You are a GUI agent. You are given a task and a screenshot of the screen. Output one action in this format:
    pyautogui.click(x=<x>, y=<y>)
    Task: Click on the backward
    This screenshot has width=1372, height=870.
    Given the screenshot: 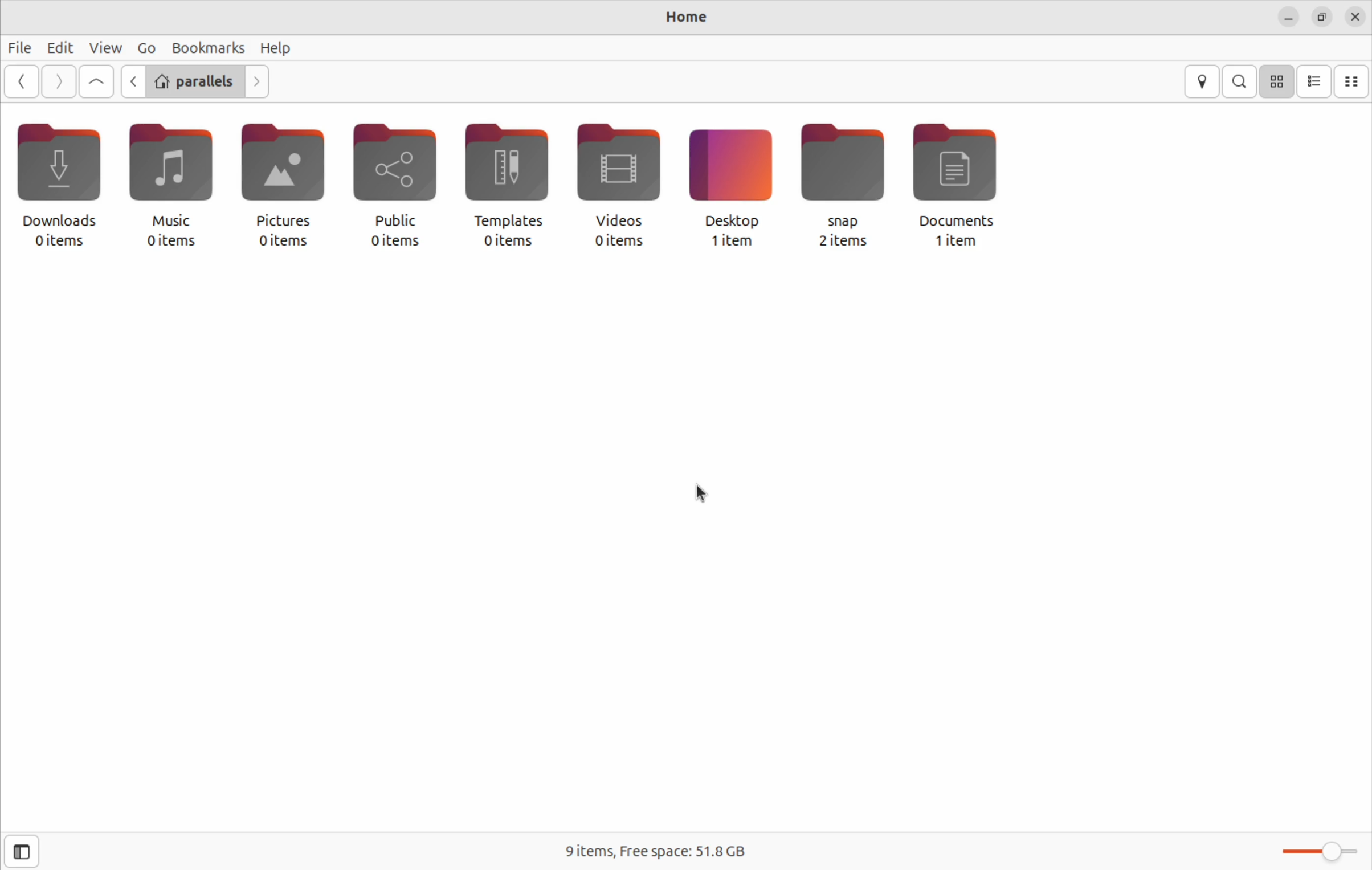 What is the action you would take?
    pyautogui.click(x=132, y=81)
    